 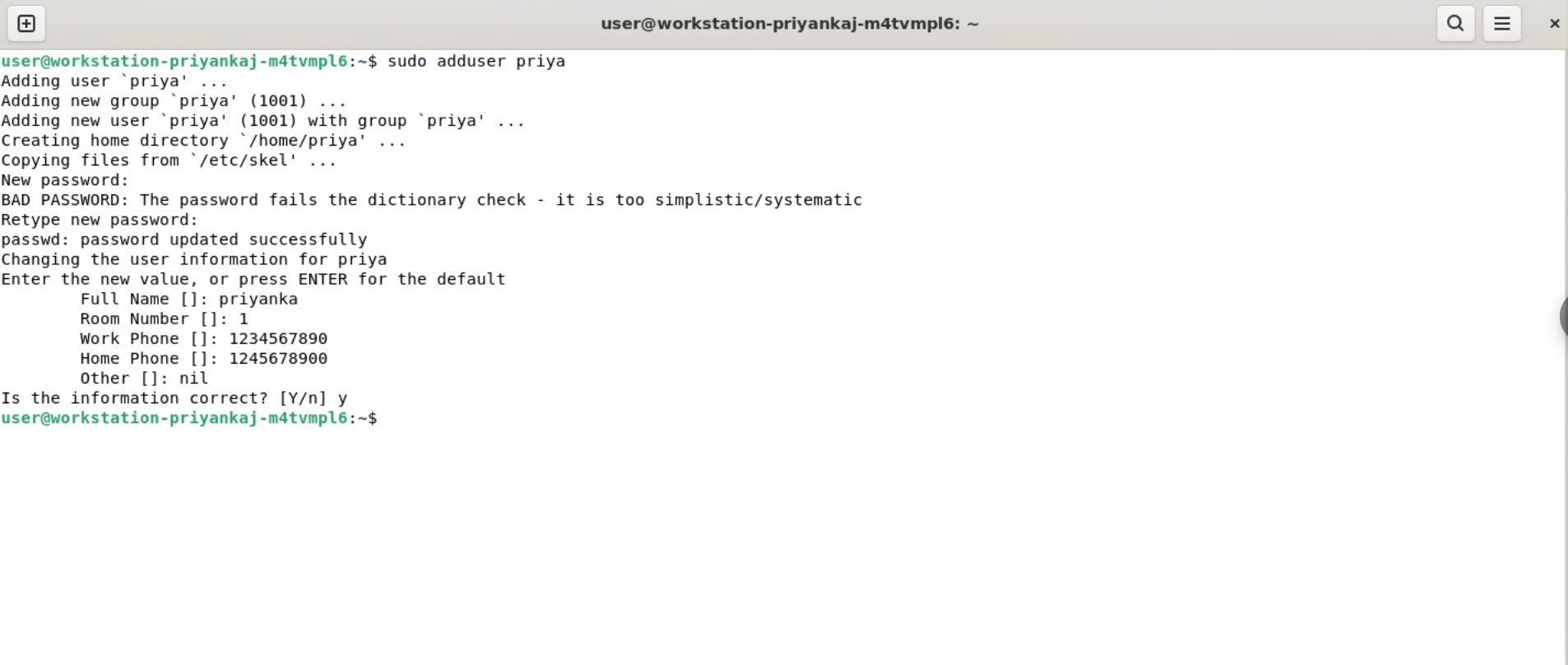 I want to click on menu, so click(x=1504, y=24).